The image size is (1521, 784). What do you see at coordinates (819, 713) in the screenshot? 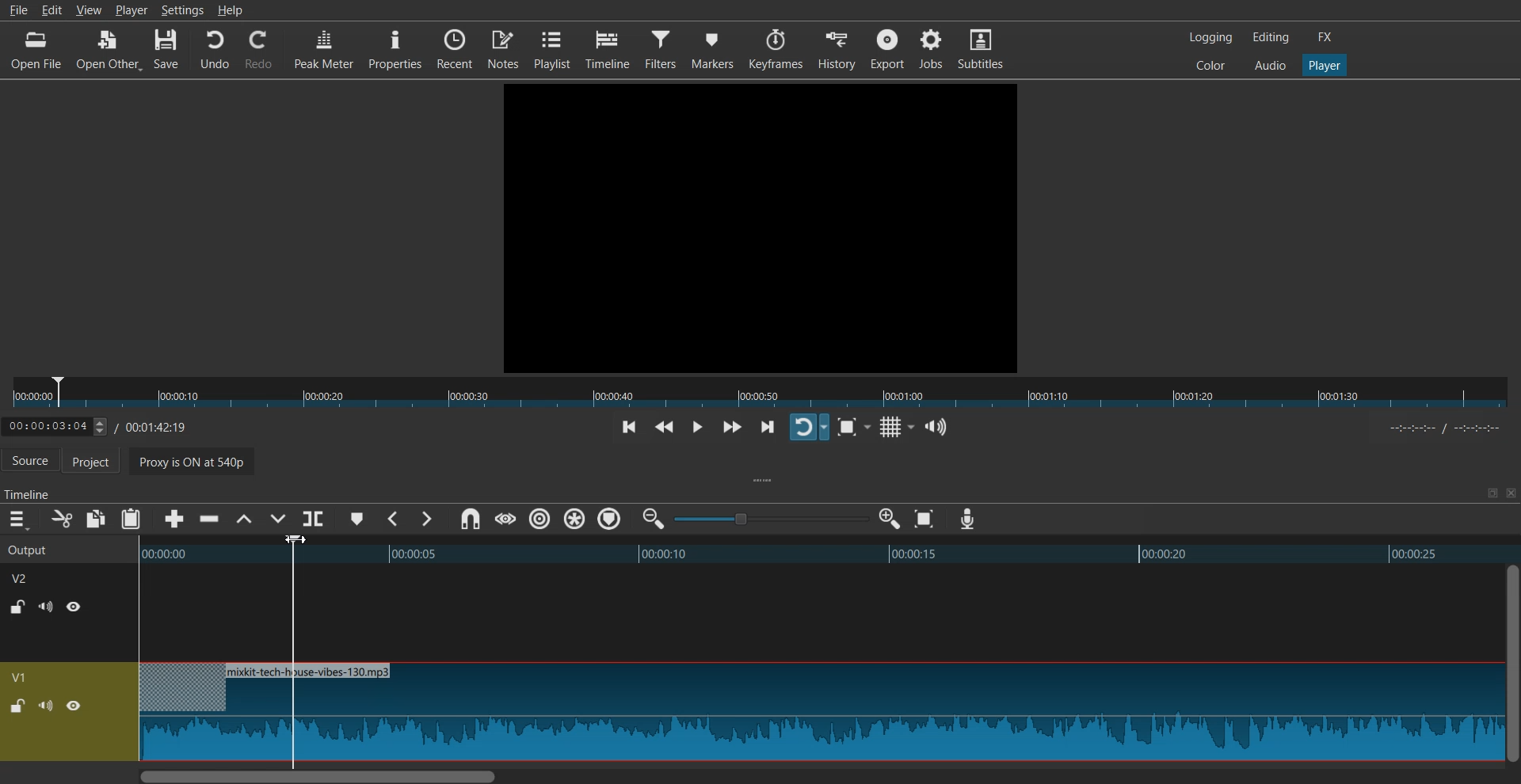
I see `Audio waveform` at bounding box center [819, 713].